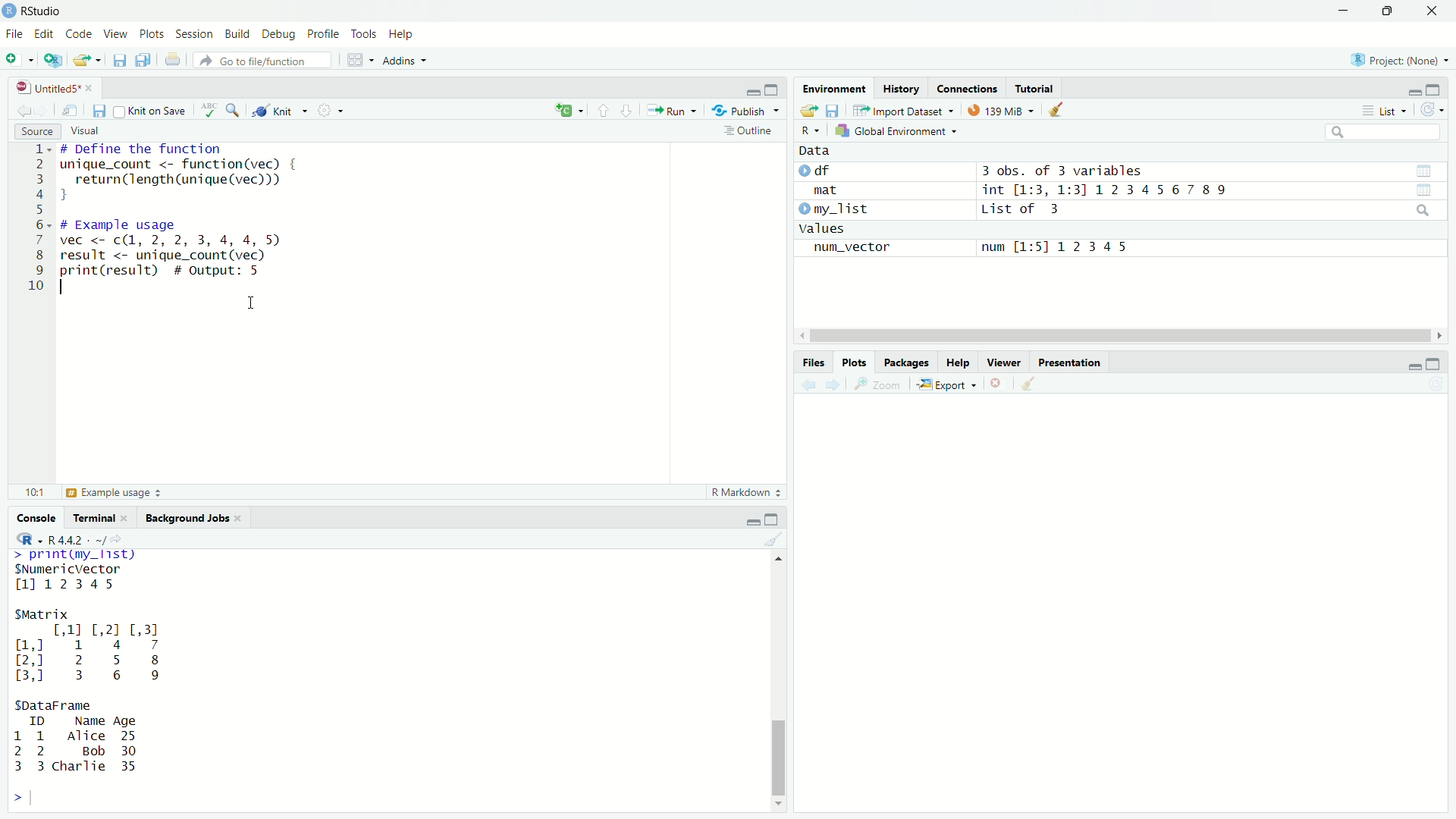 The height and width of the screenshot is (819, 1456). What do you see at coordinates (83, 61) in the screenshot?
I see `open file` at bounding box center [83, 61].